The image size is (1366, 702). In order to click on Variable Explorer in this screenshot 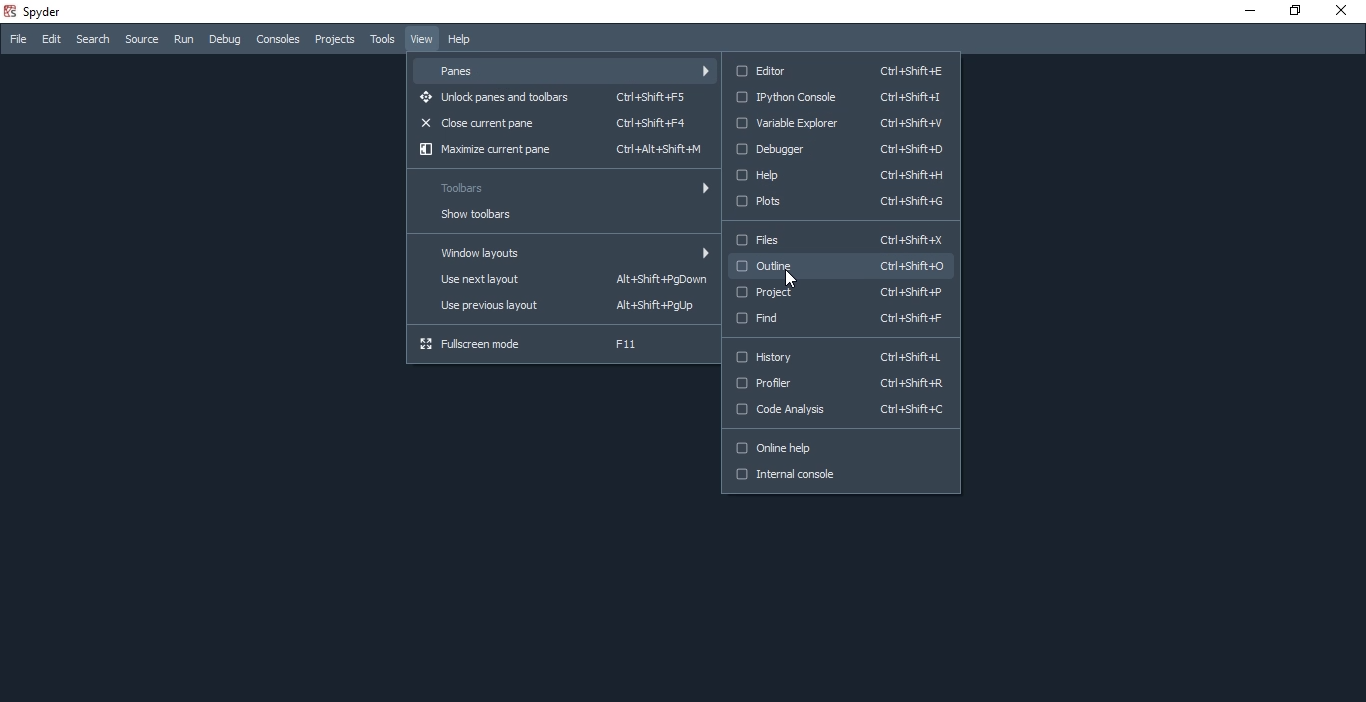, I will do `click(846, 125)`.